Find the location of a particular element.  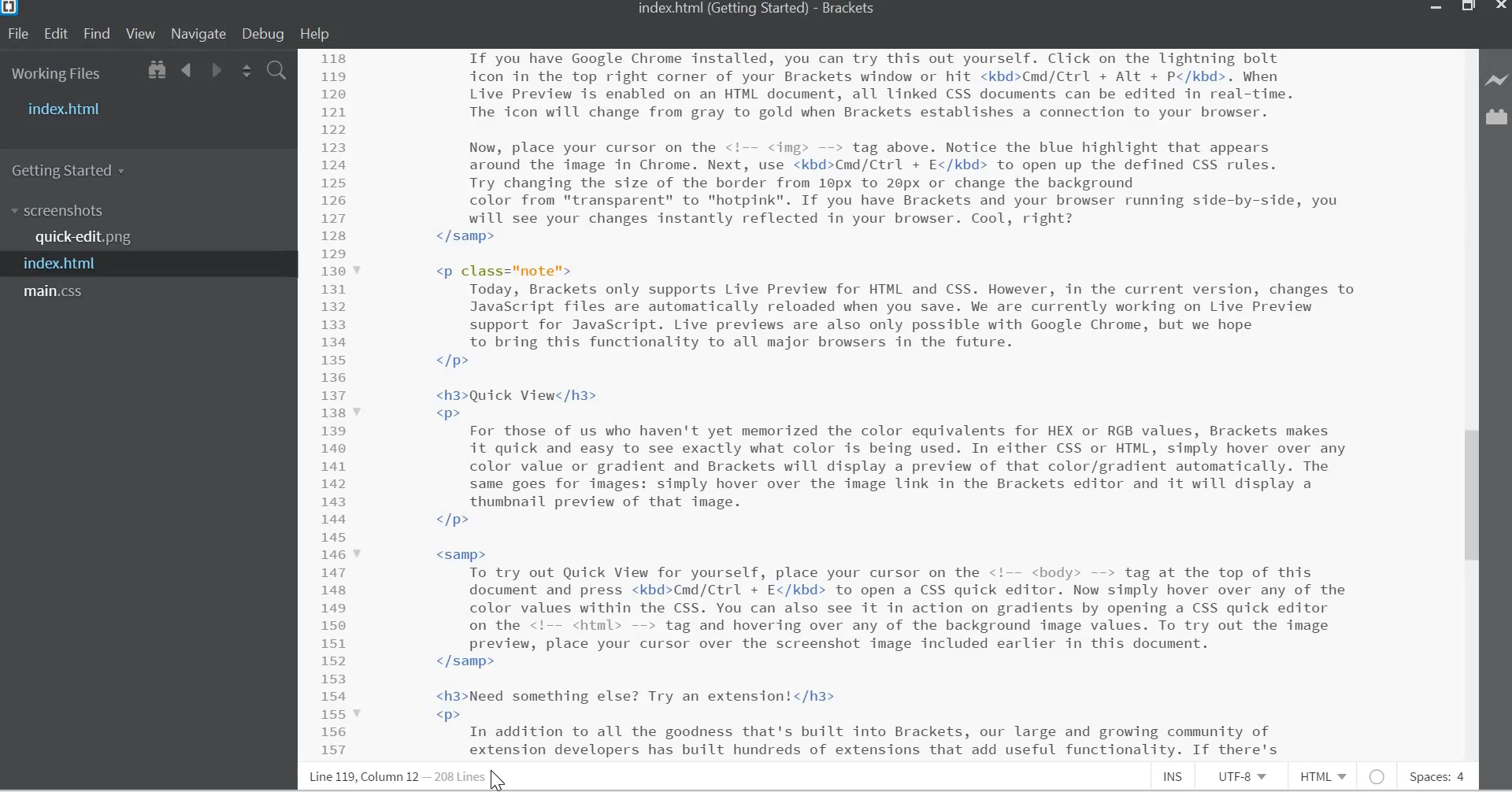

Index.html file name is located at coordinates (143, 109).